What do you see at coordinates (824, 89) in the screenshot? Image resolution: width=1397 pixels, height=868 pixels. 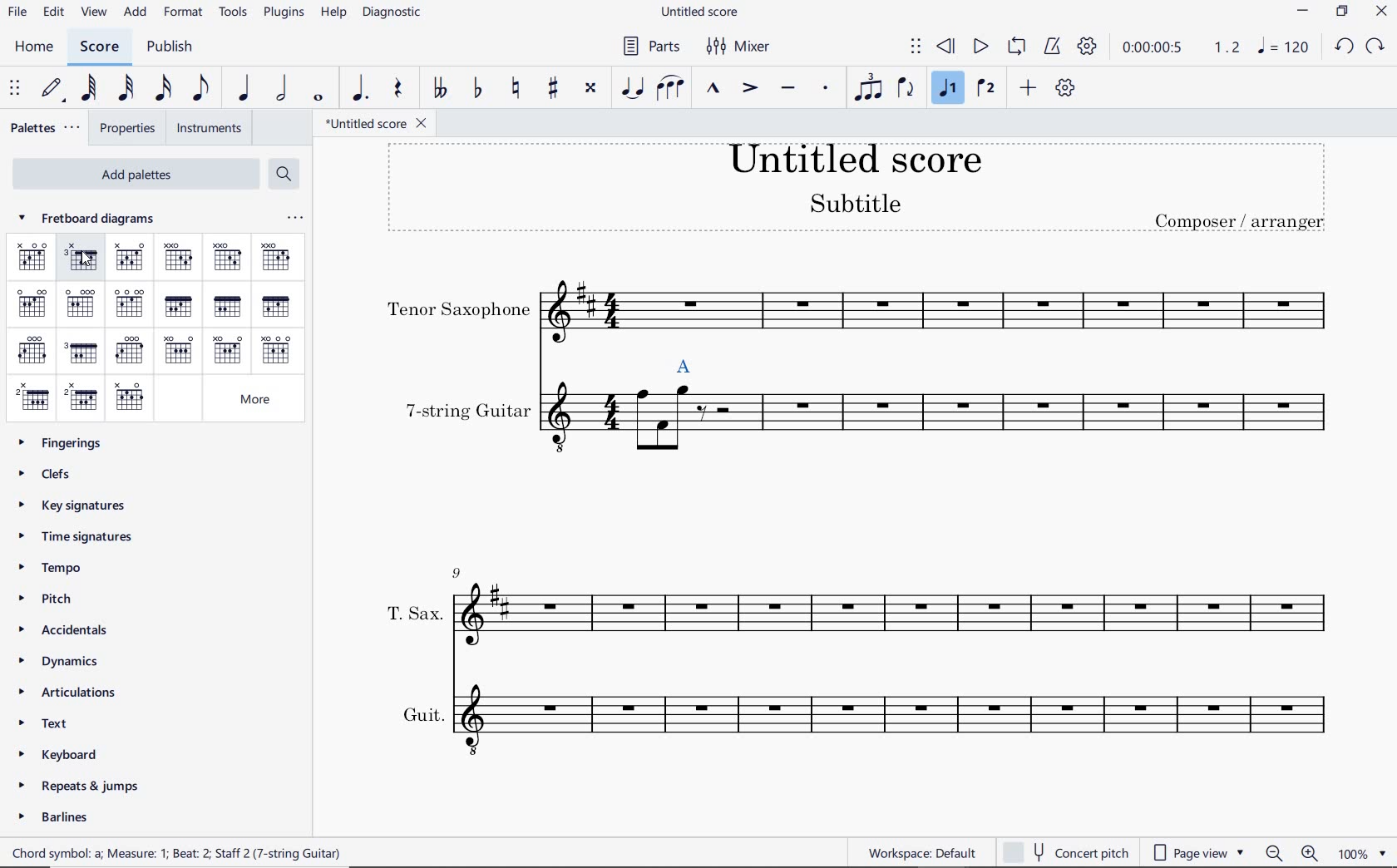 I see `STACCATO` at bounding box center [824, 89].